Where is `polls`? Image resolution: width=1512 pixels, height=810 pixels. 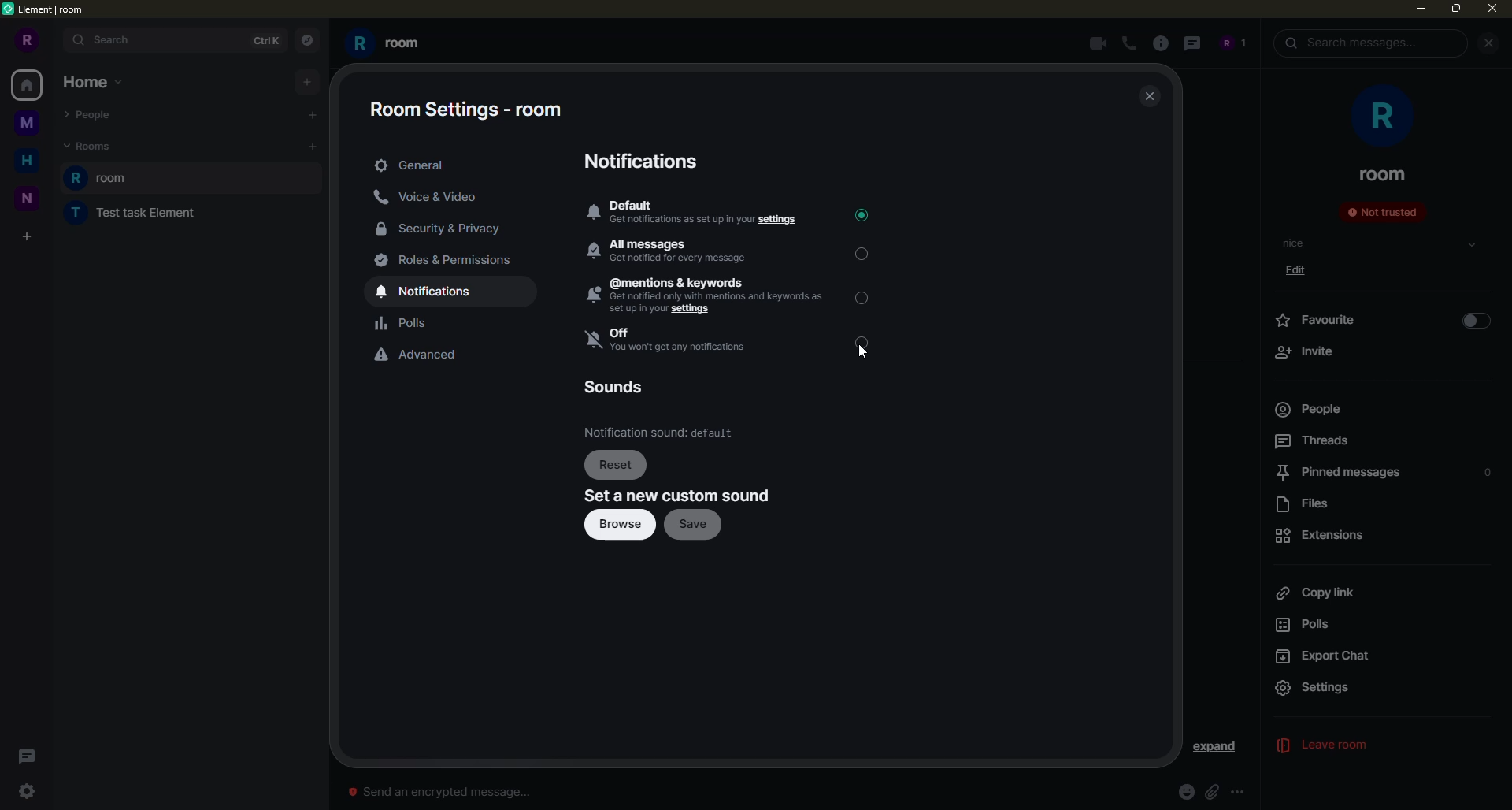
polls is located at coordinates (1313, 626).